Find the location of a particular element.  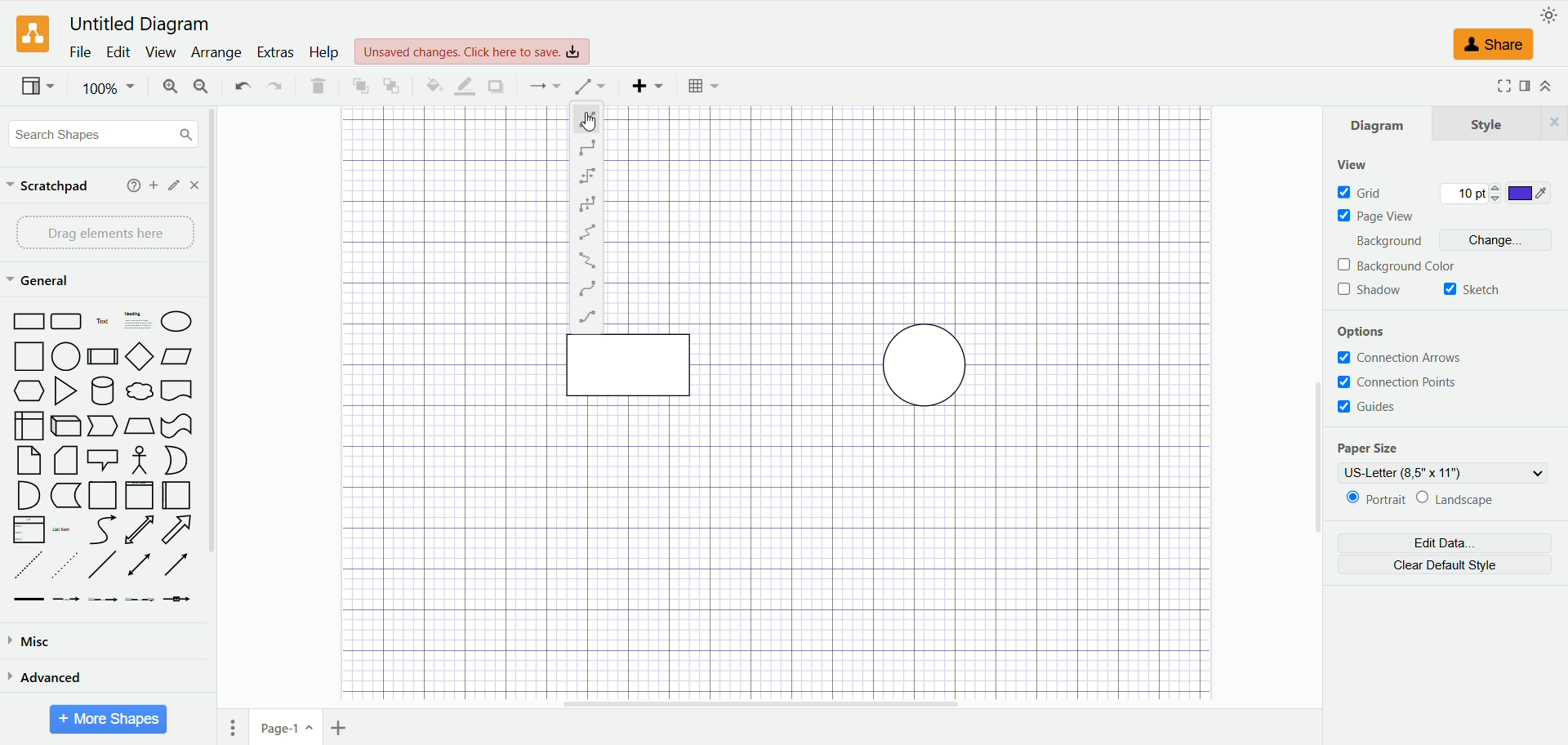

connection arrows is located at coordinates (1399, 358).